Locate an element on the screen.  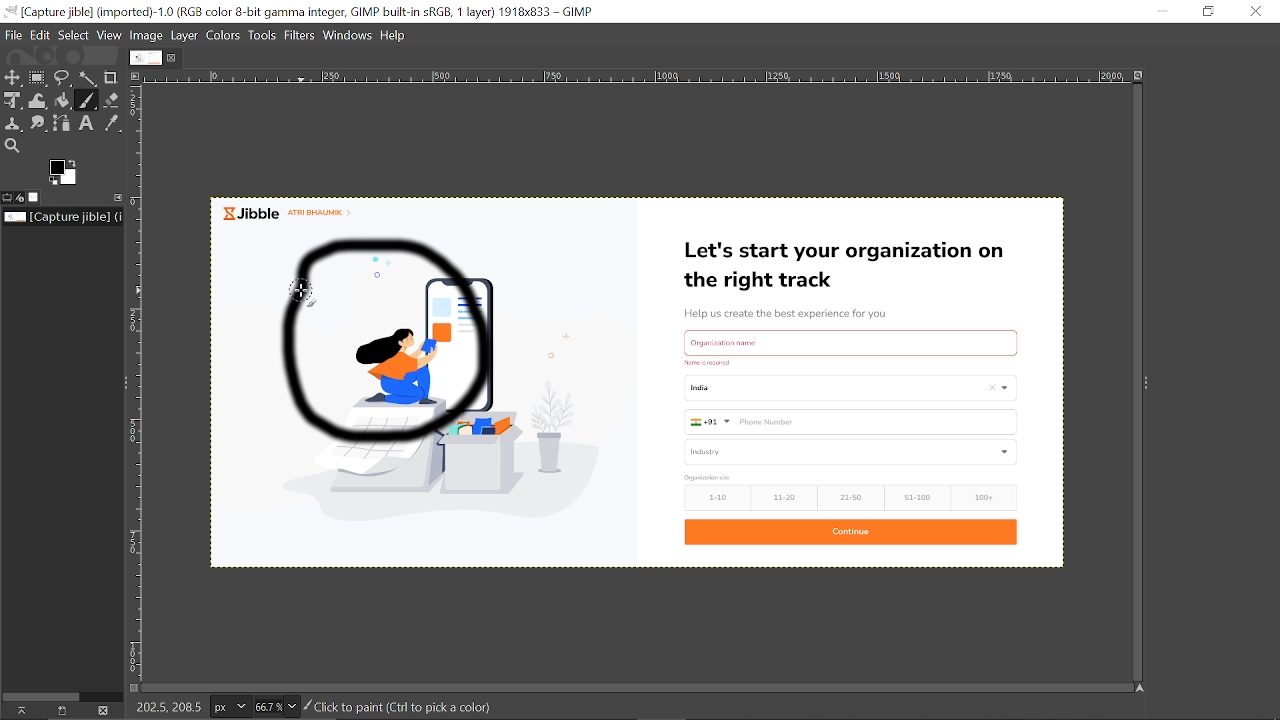
Color picker tool is located at coordinates (114, 124).